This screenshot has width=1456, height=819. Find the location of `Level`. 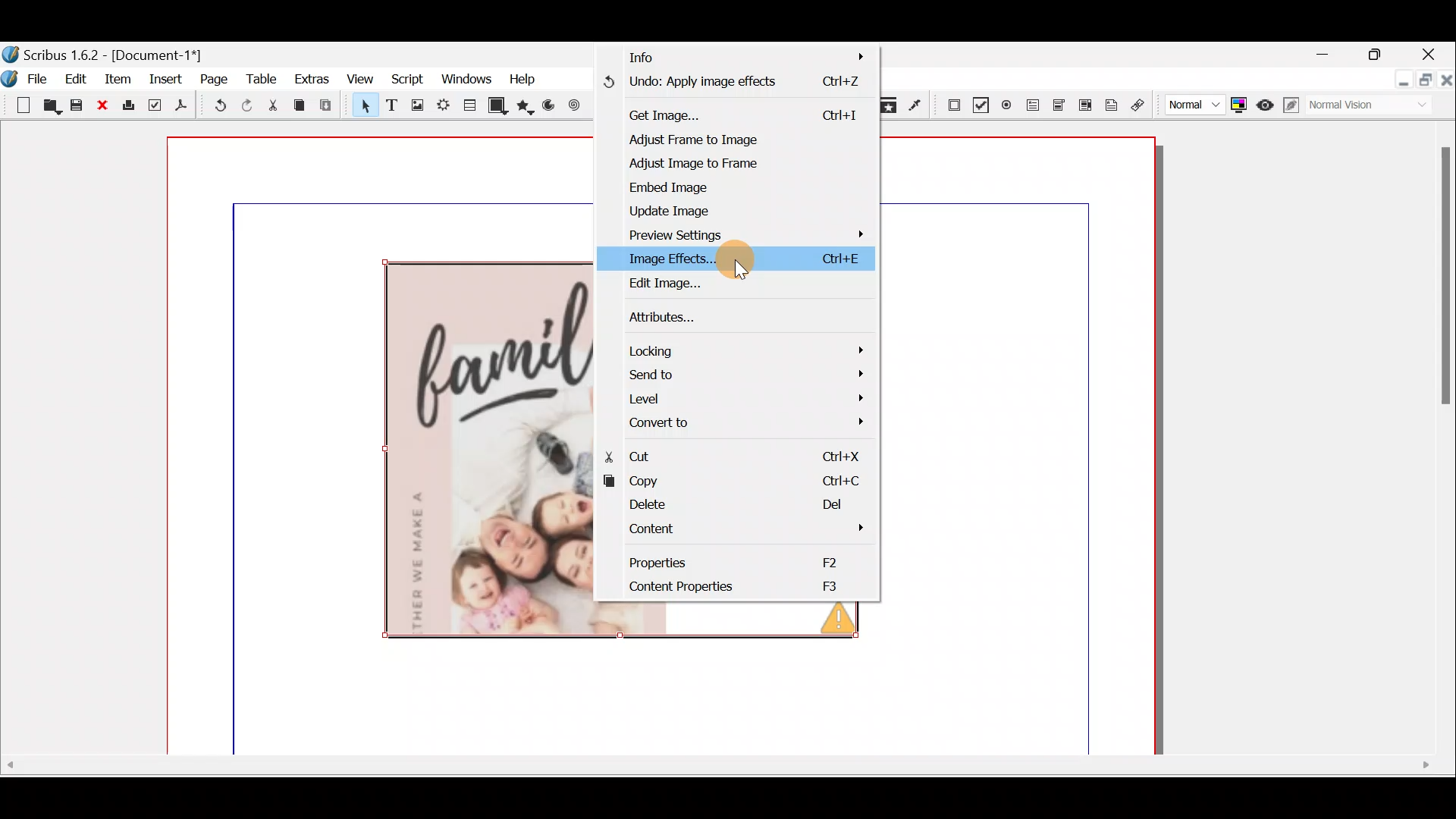

Level is located at coordinates (749, 397).